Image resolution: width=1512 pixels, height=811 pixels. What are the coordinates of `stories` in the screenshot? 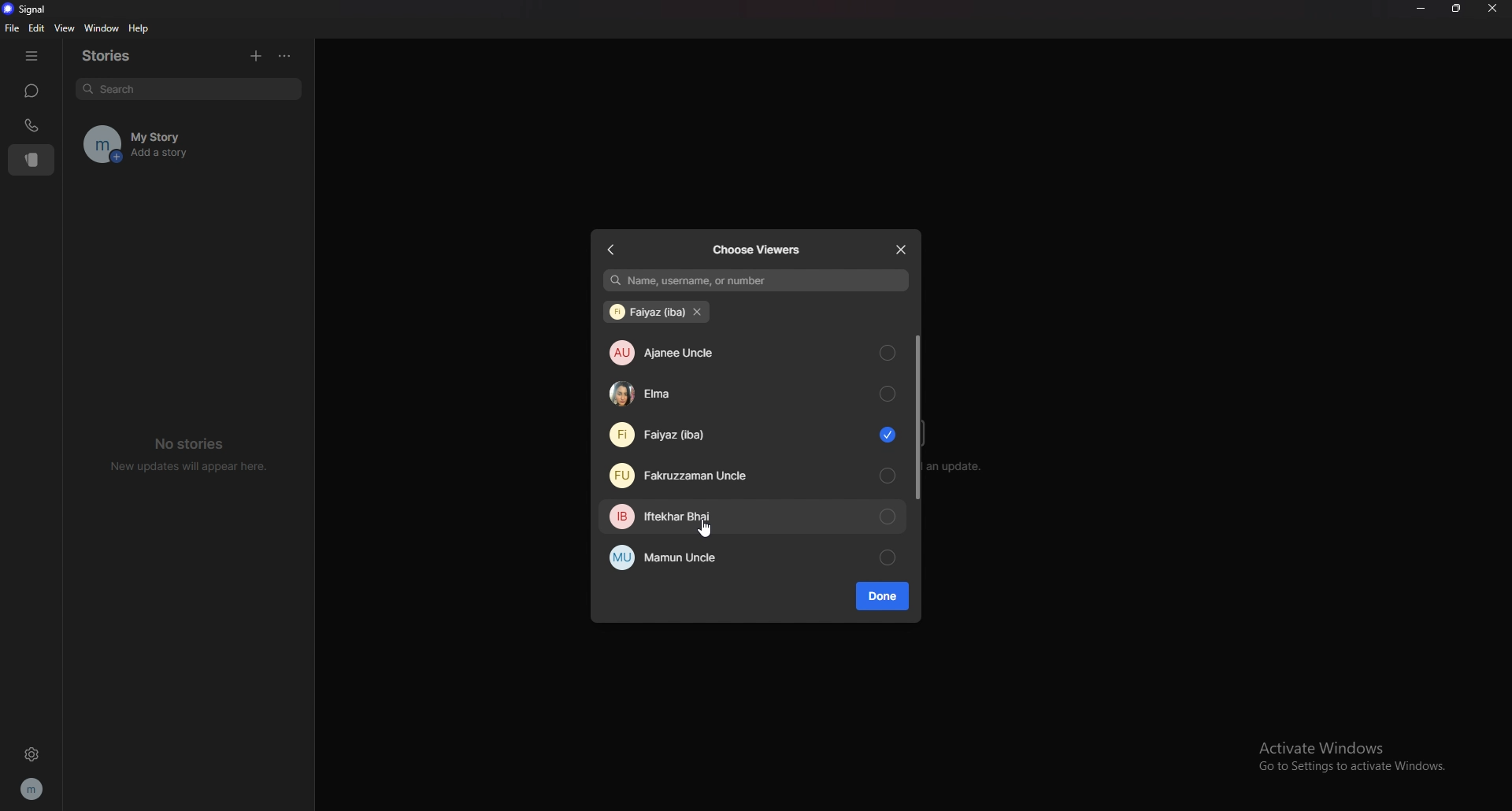 It's located at (120, 56).